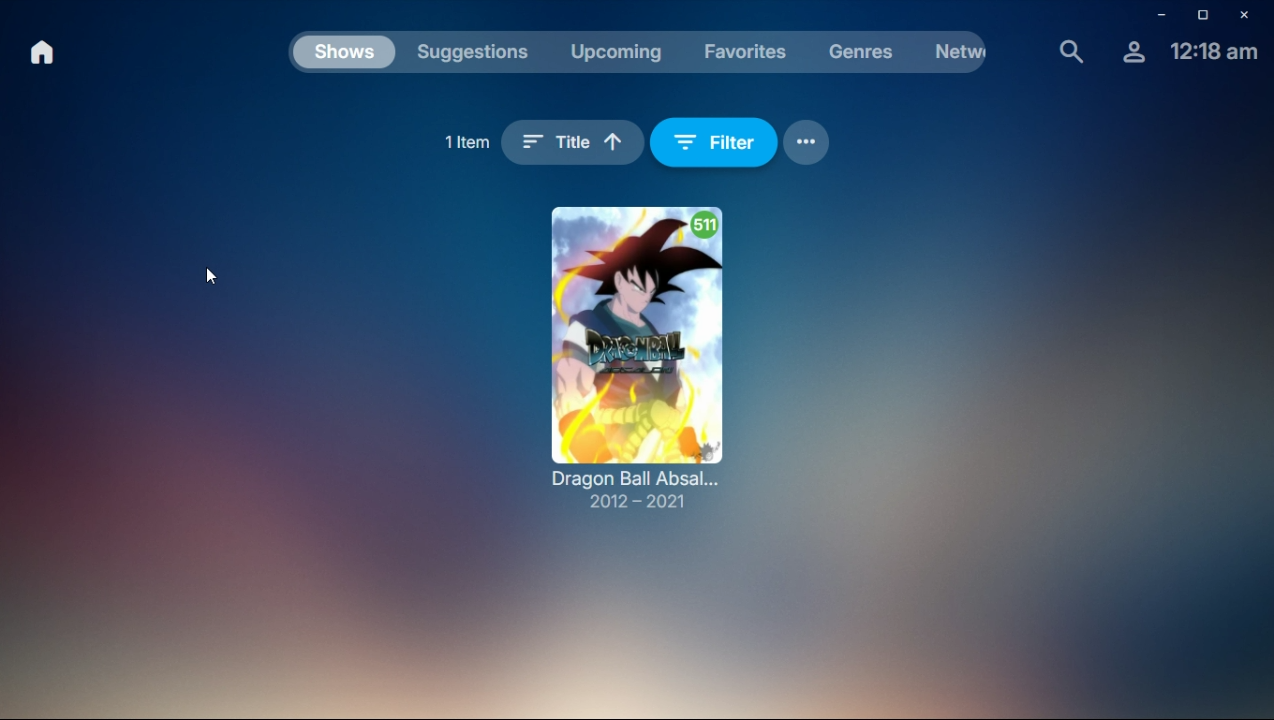 This screenshot has width=1274, height=720. What do you see at coordinates (214, 276) in the screenshot?
I see `mouse pointer` at bounding box center [214, 276].